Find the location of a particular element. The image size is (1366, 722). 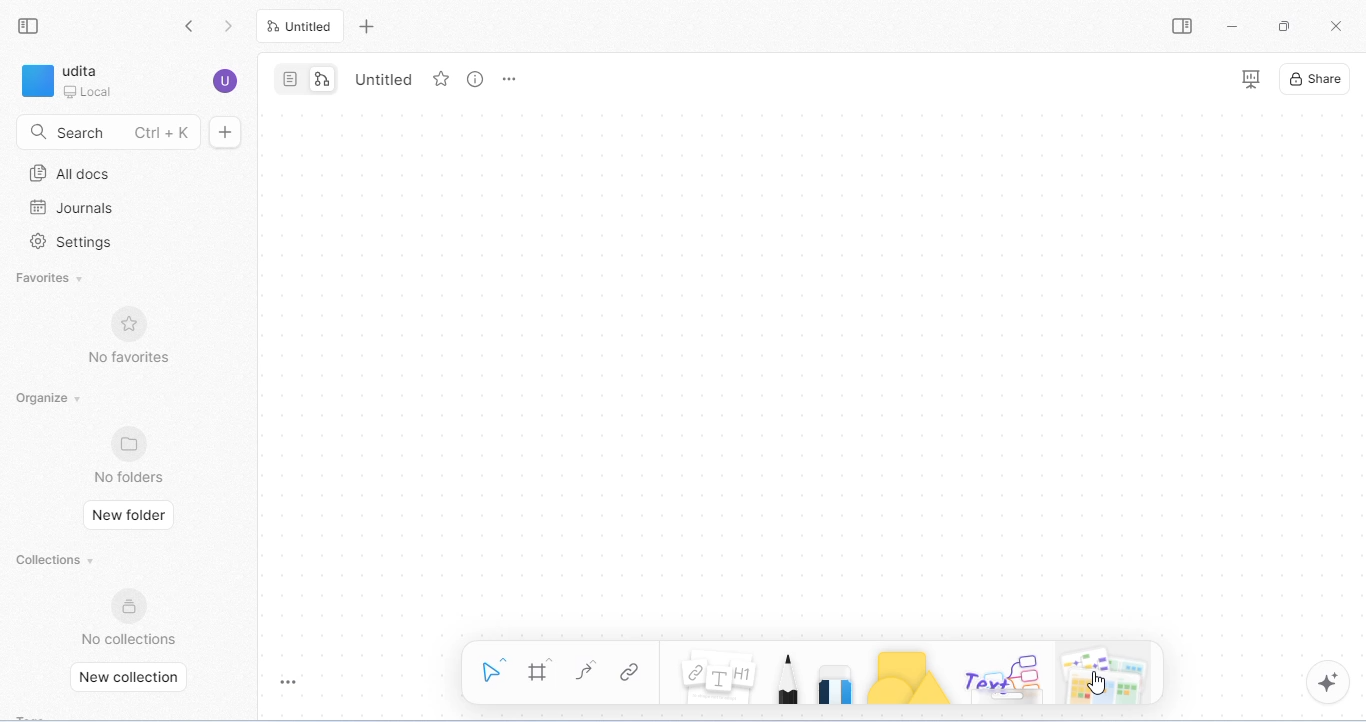

favorites is located at coordinates (51, 280).